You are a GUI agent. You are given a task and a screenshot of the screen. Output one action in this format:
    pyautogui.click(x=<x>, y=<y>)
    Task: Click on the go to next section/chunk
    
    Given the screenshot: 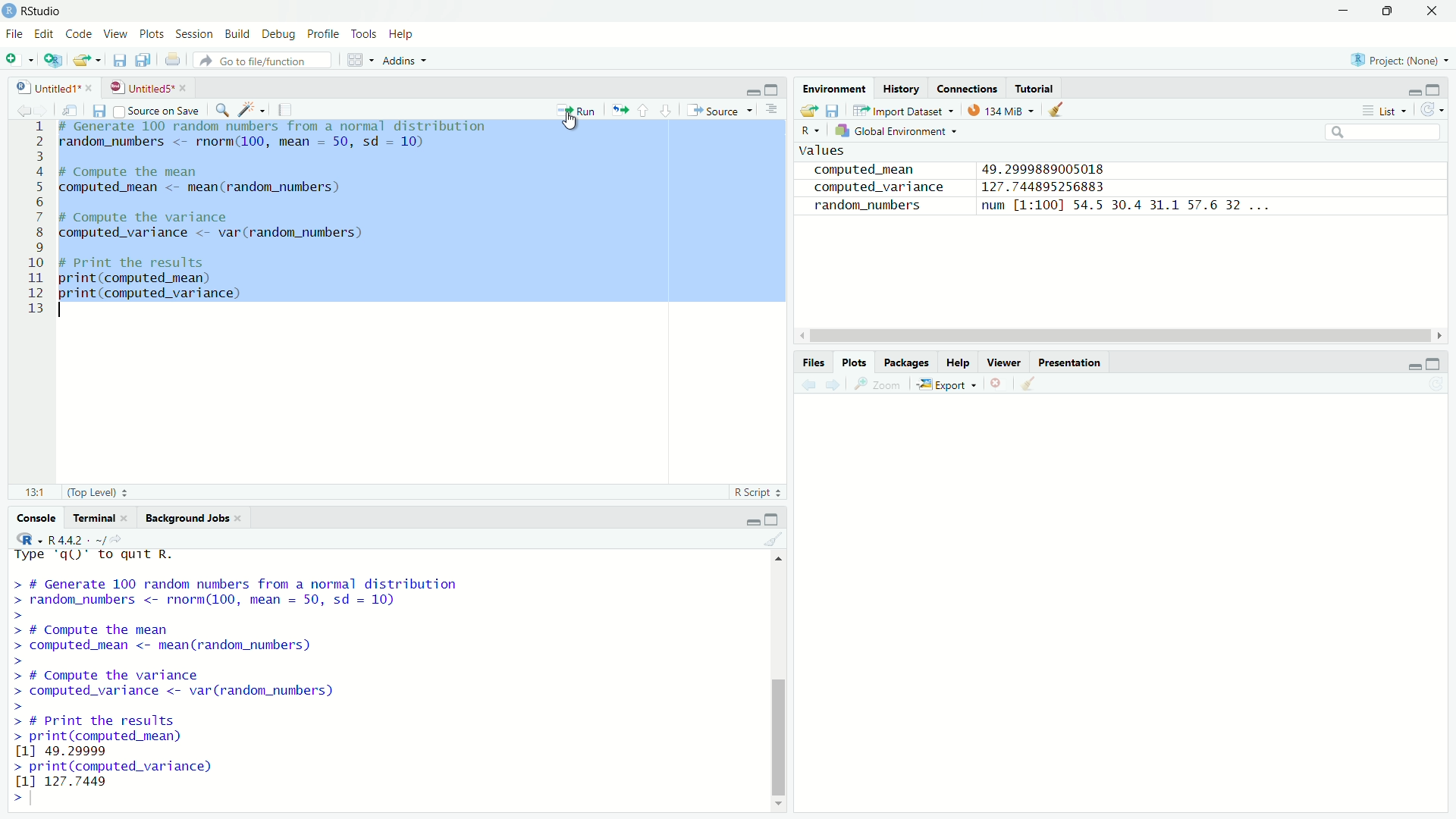 What is the action you would take?
    pyautogui.click(x=667, y=110)
    